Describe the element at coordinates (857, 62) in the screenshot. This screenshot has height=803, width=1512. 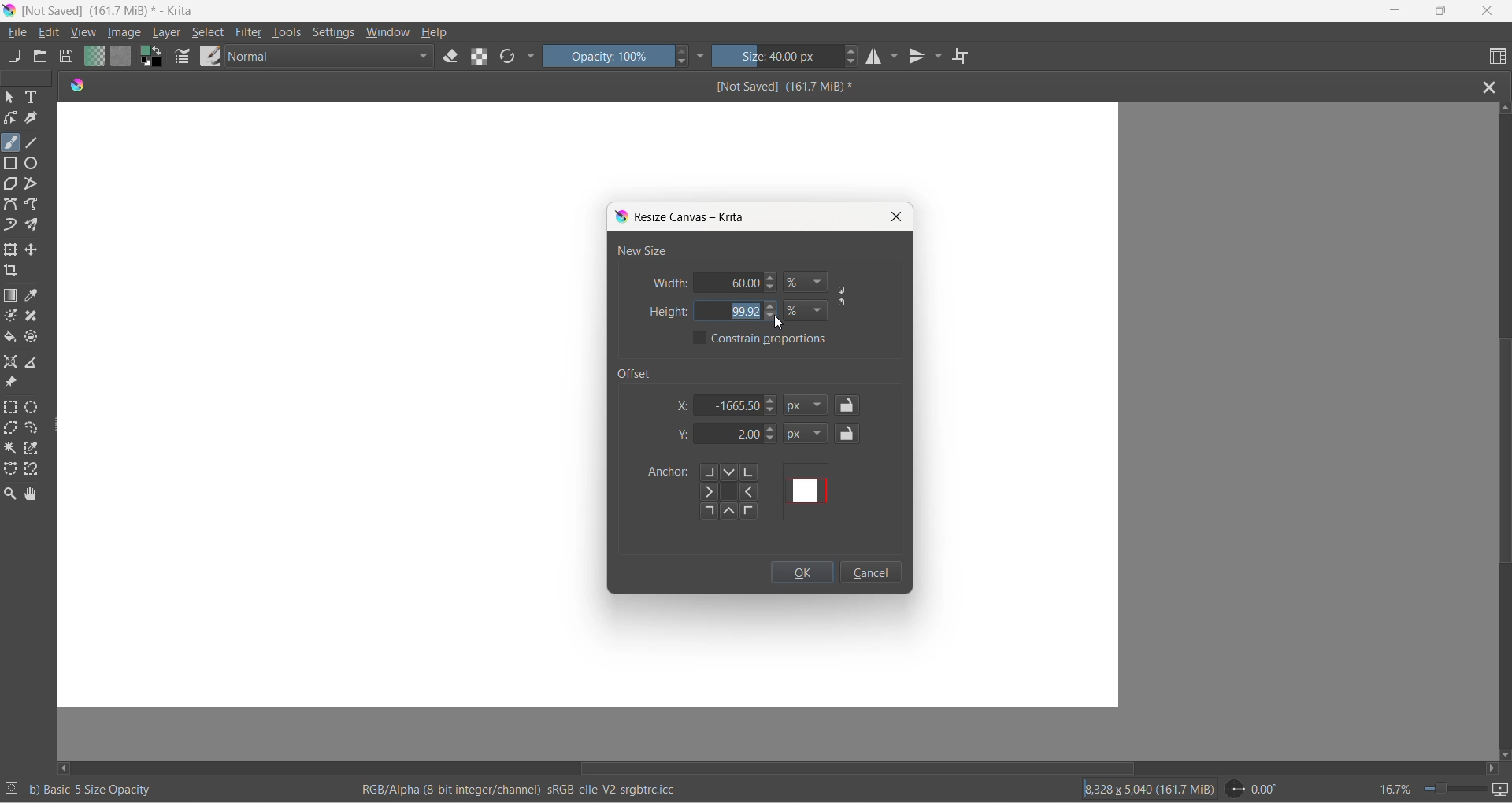
I see `decrement size` at that location.